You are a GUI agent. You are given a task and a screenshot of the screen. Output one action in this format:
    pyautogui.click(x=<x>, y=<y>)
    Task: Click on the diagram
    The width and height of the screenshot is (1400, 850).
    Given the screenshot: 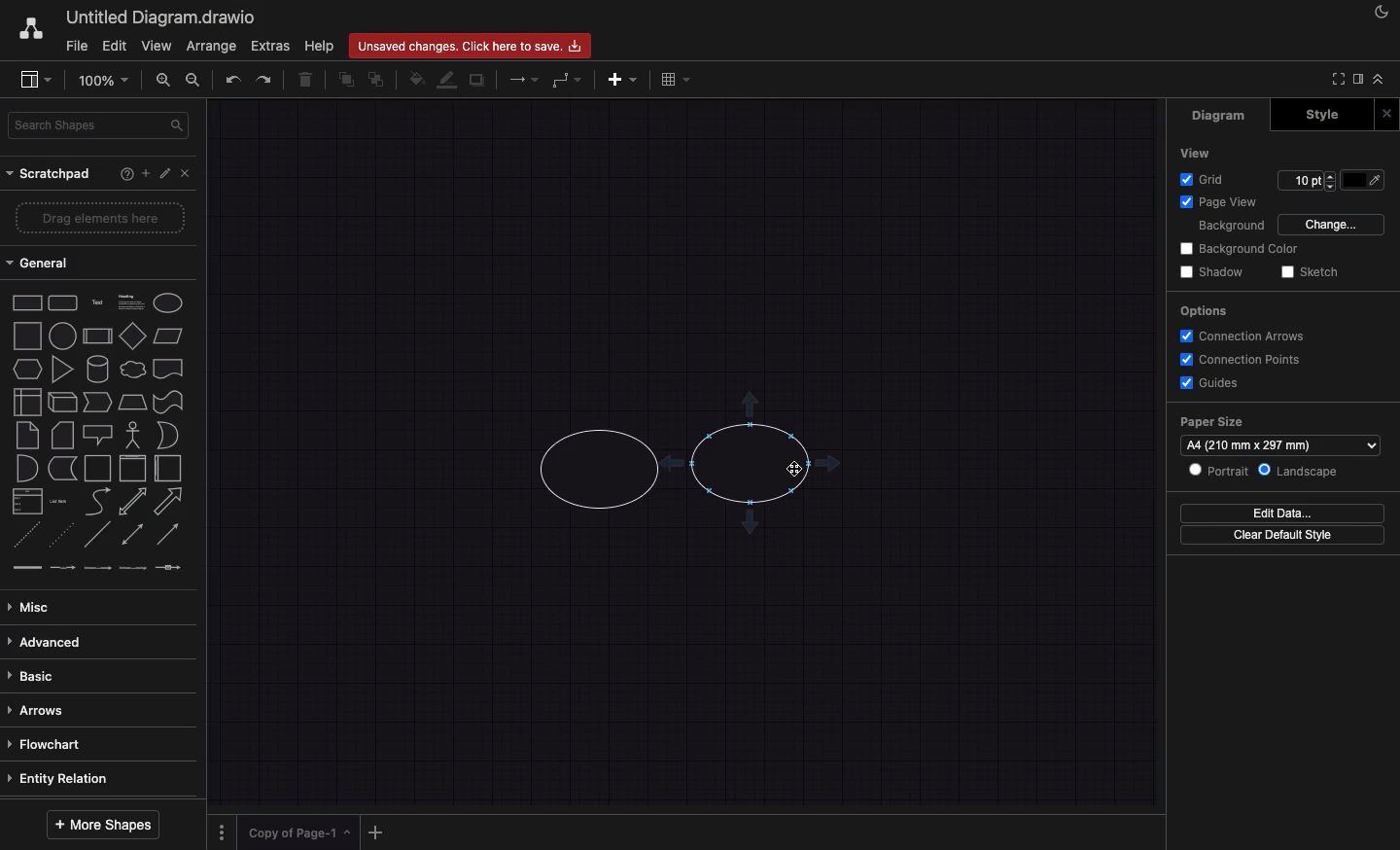 What is the action you would take?
    pyautogui.click(x=1222, y=114)
    